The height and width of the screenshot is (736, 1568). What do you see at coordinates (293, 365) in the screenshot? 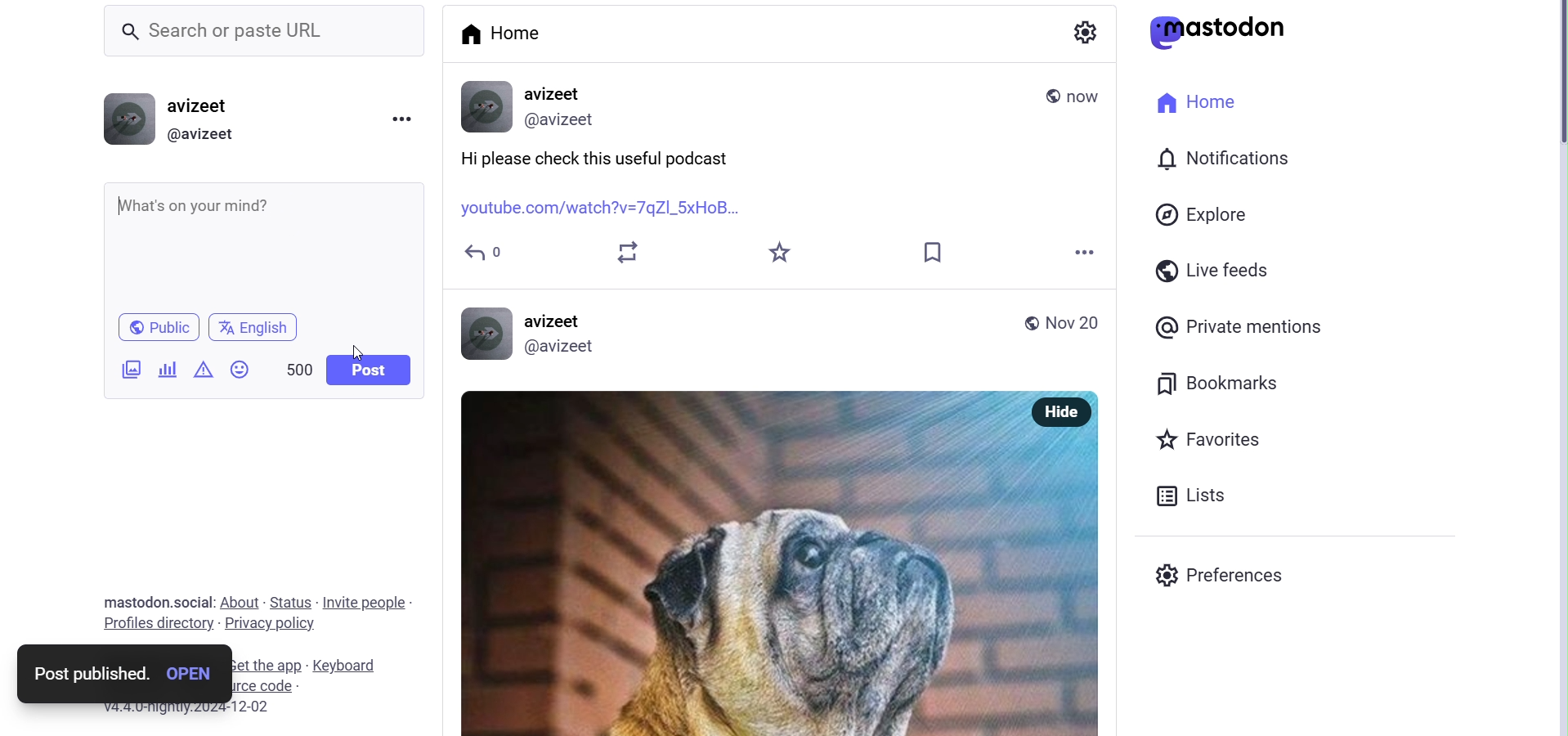
I see `438` at bounding box center [293, 365].